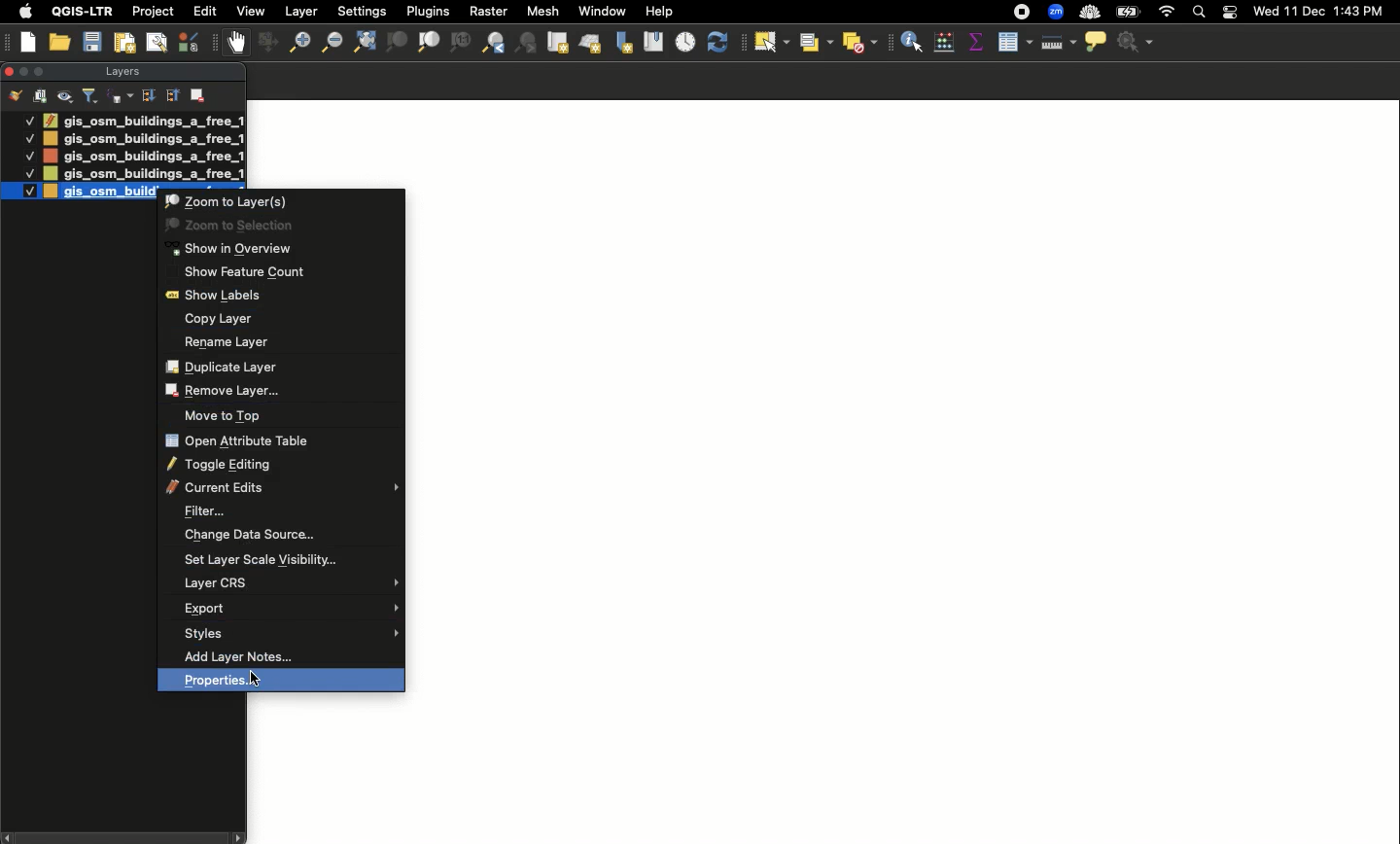  What do you see at coordinates (295, 45) in the screenshot?
I see `Zoom out` at bounding box center [295, 45].